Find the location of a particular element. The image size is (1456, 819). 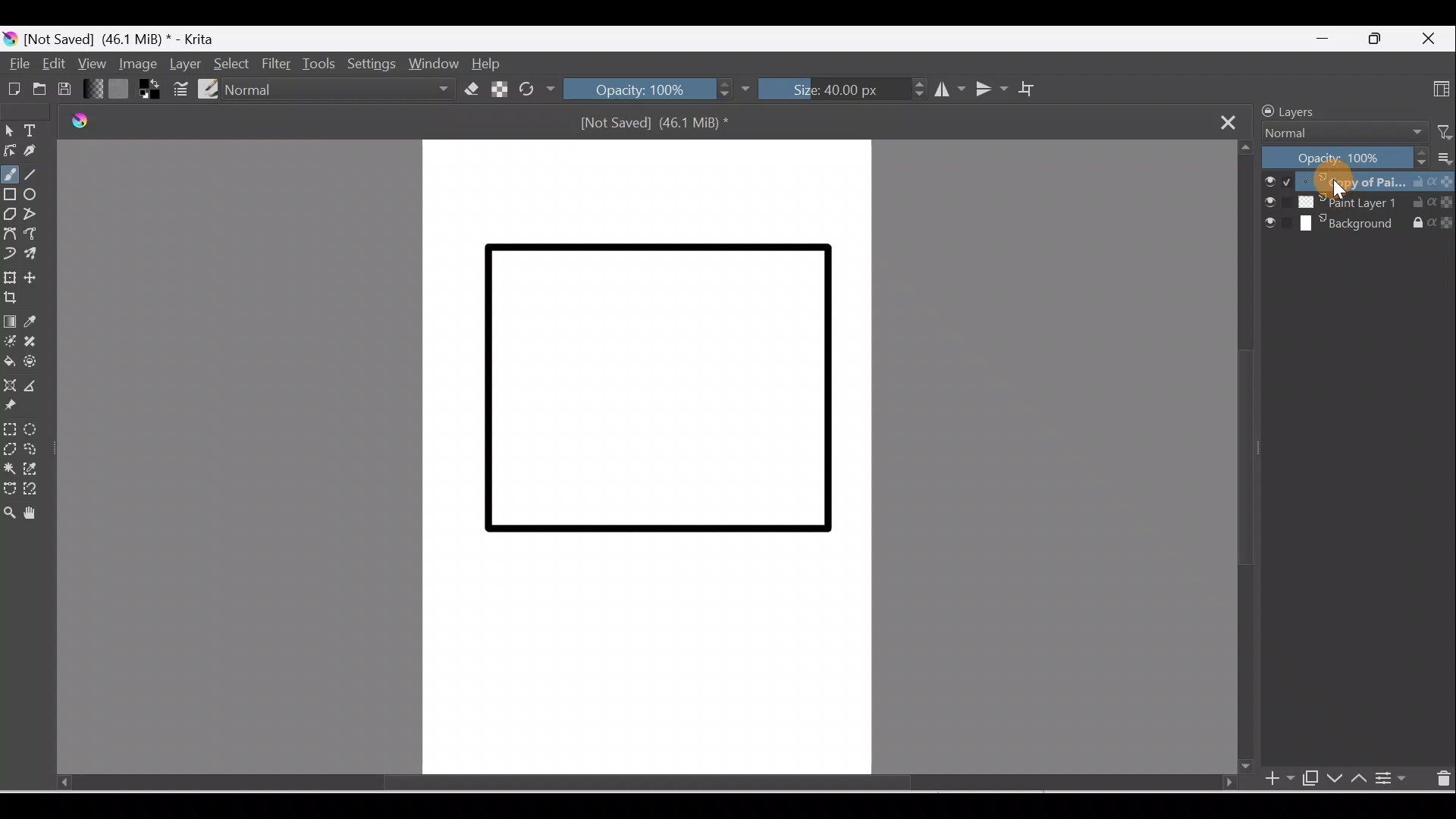

Close tab is located at coordinates (1232, 122).